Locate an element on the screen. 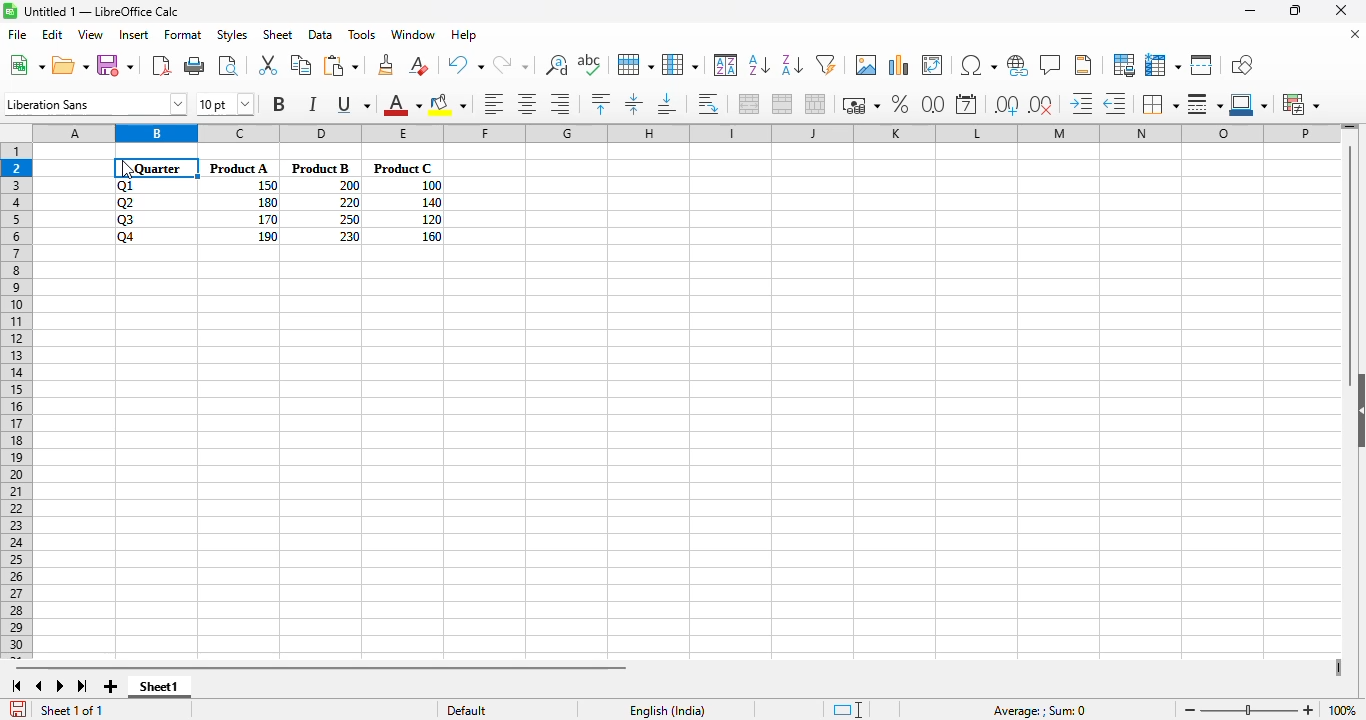 The width and height of the screenshot is (1366, 720). font name is located at coordinates (96, 103).